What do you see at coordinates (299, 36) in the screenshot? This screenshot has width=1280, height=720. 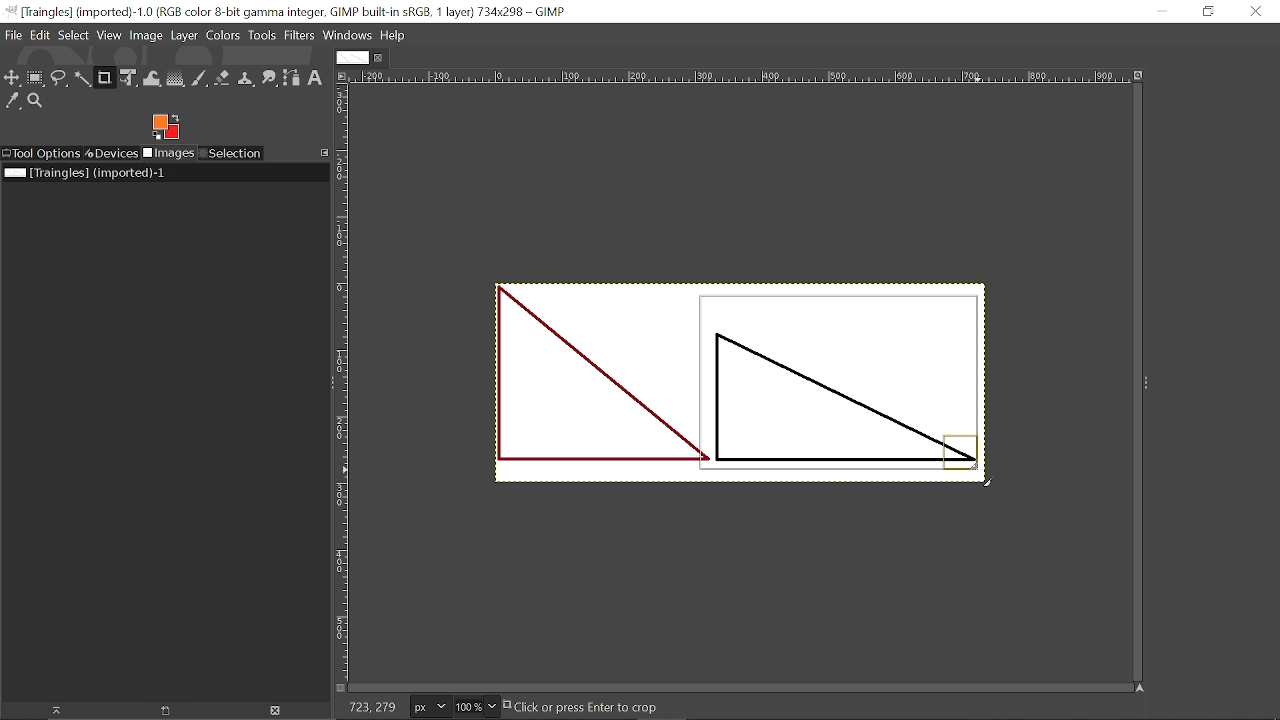 I see `Filters` at bounding box center [299, 36].